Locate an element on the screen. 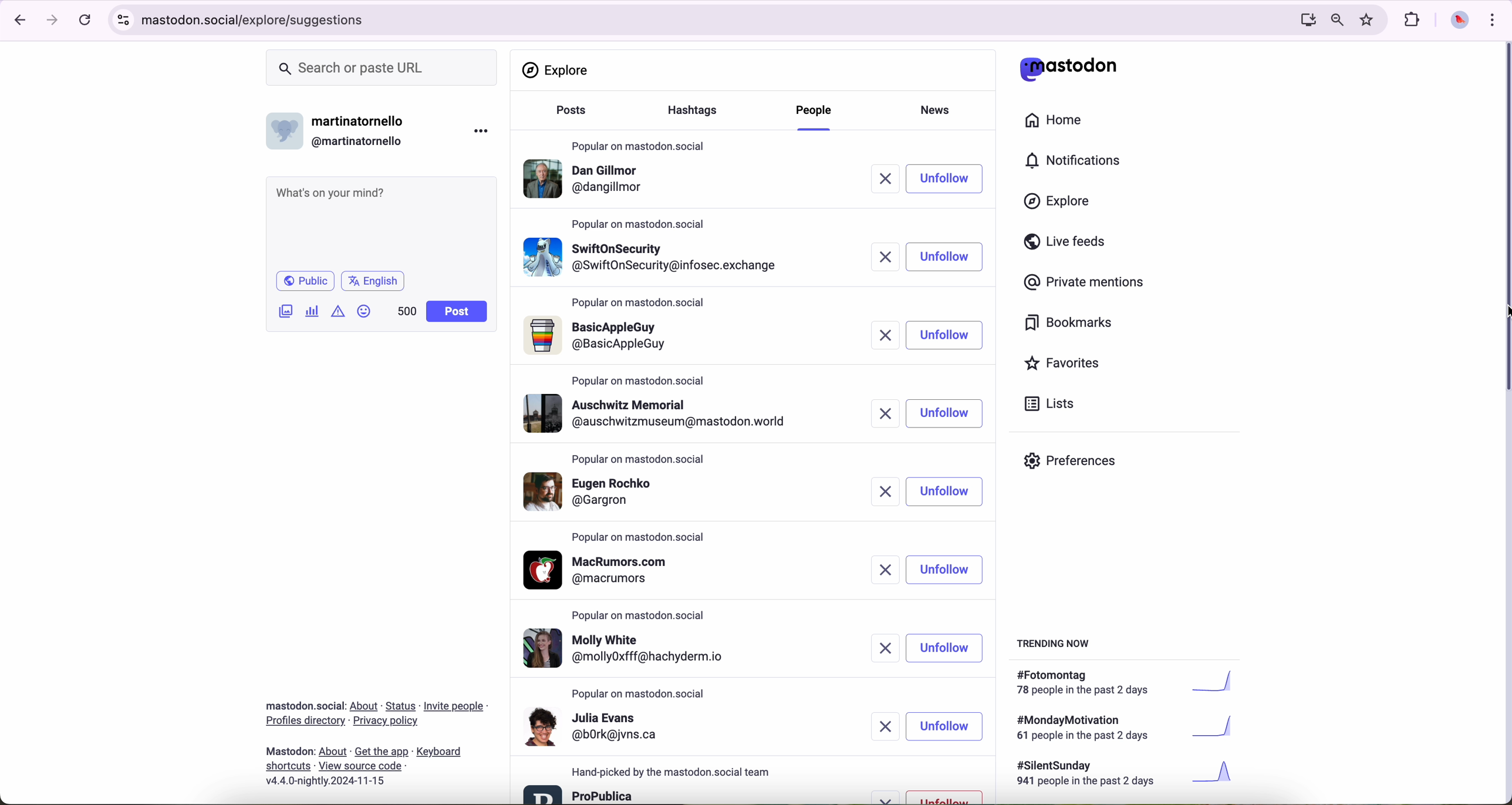 This screenshot has height=805, width=1512. unfollow is located at coordinates (947, 570).